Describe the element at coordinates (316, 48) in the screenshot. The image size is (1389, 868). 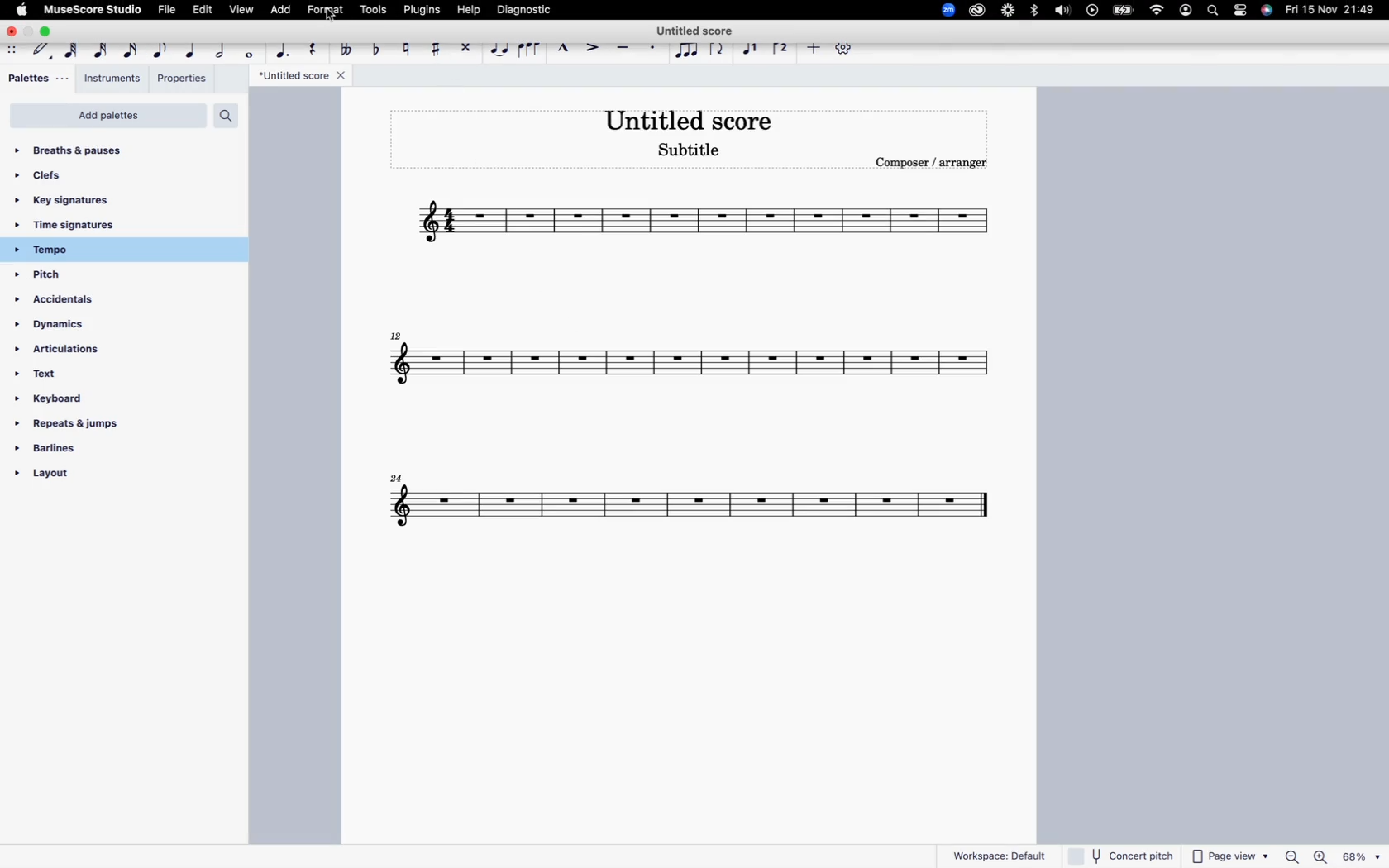
I see `rest` at that location.